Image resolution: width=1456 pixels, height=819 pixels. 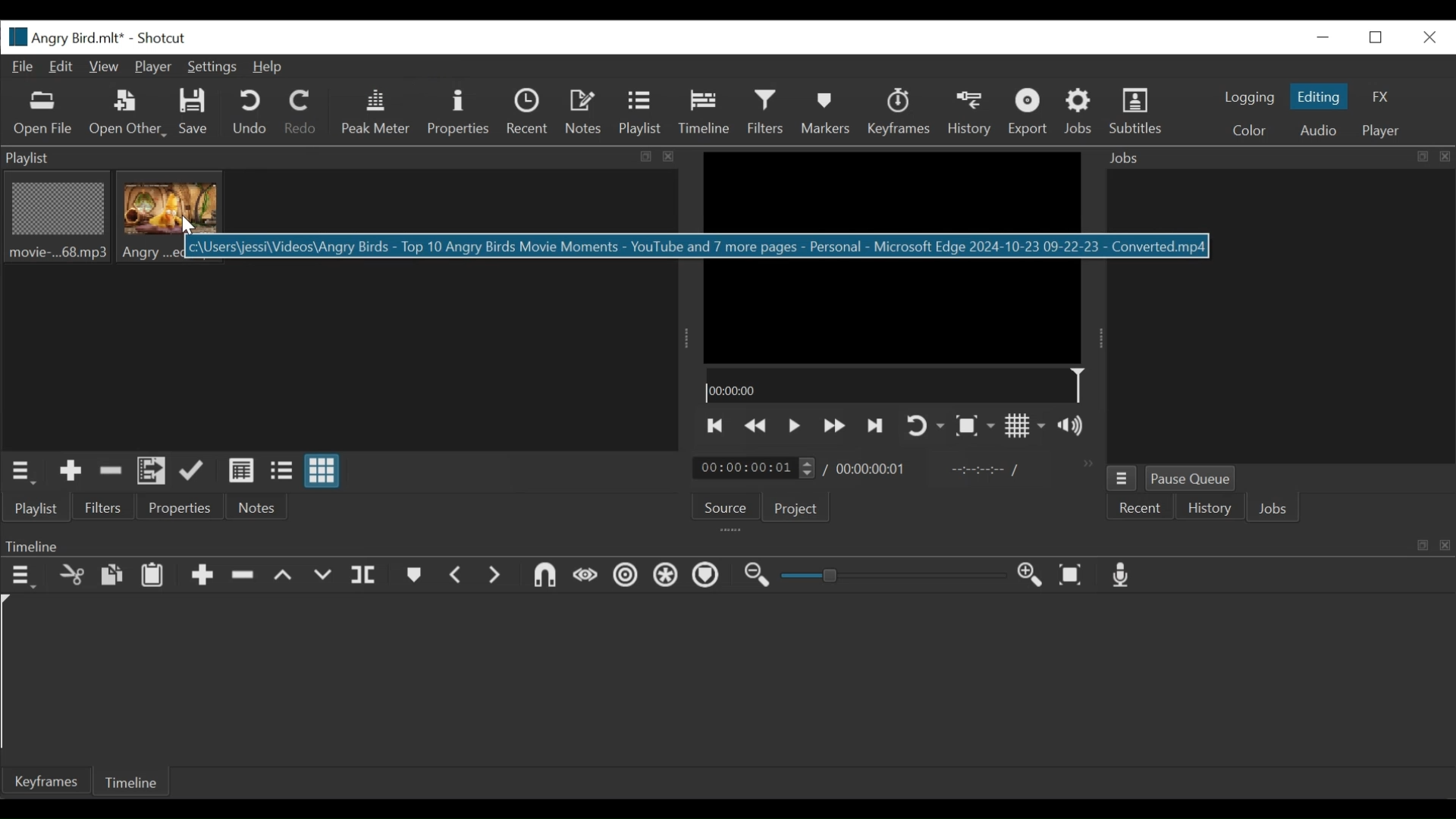 I want to click on Paste, so click(x=152, y=576).